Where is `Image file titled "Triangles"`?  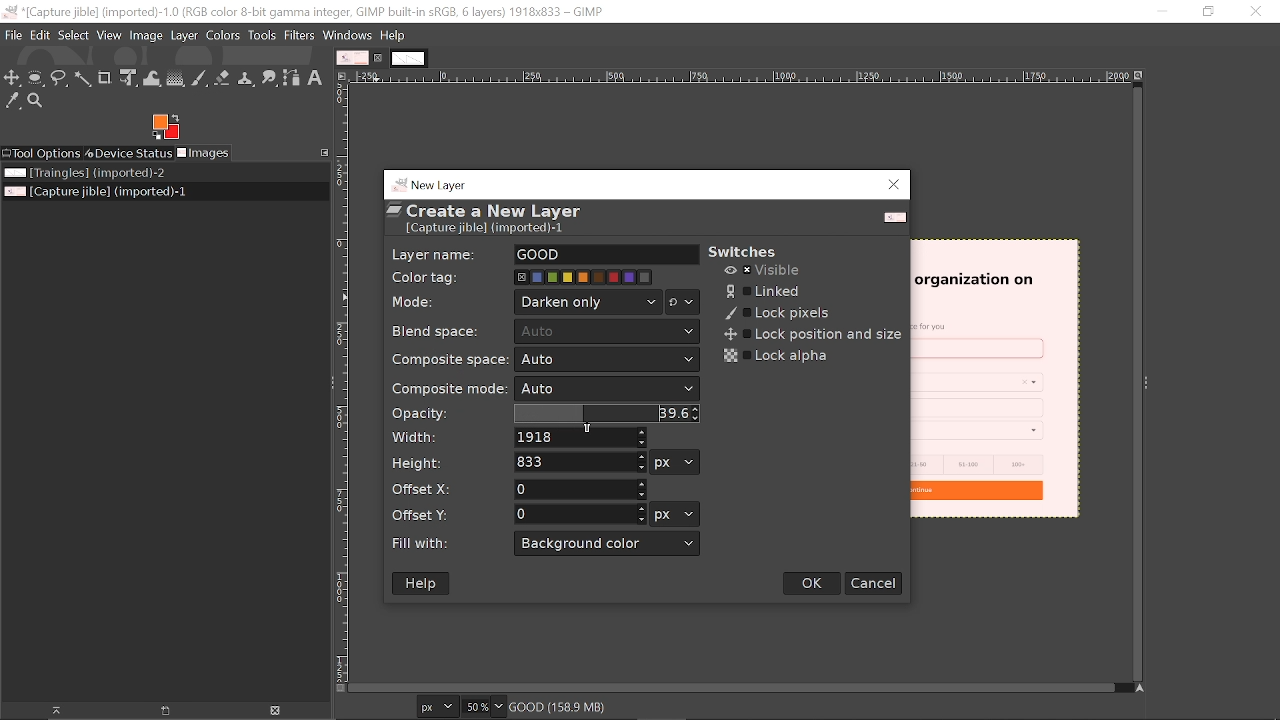 Image file titled "Triangles" is located at coordinates (108, 173).